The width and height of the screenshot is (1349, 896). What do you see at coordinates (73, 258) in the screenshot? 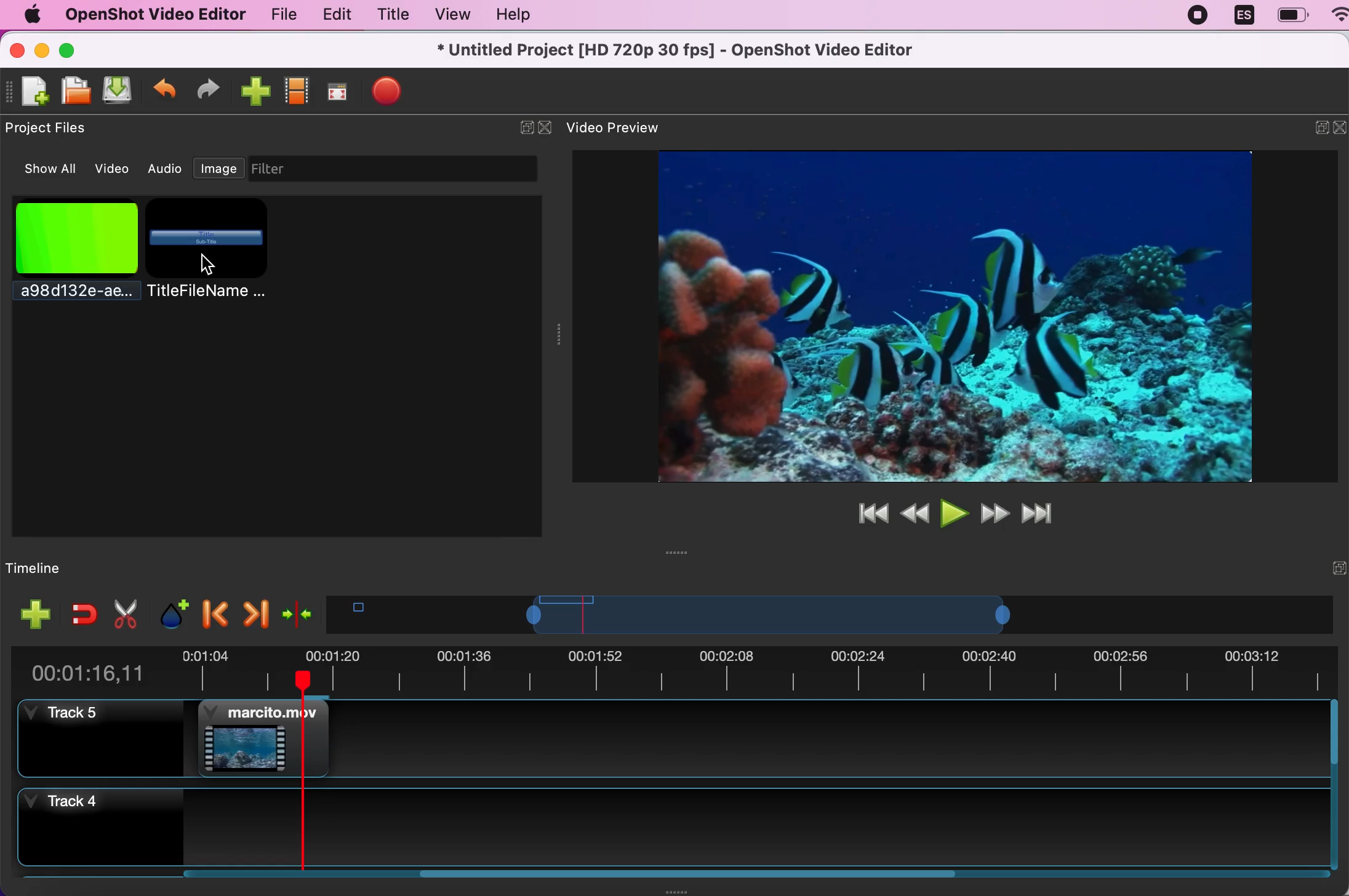
I see `picture` at bounding box center [73, 258].